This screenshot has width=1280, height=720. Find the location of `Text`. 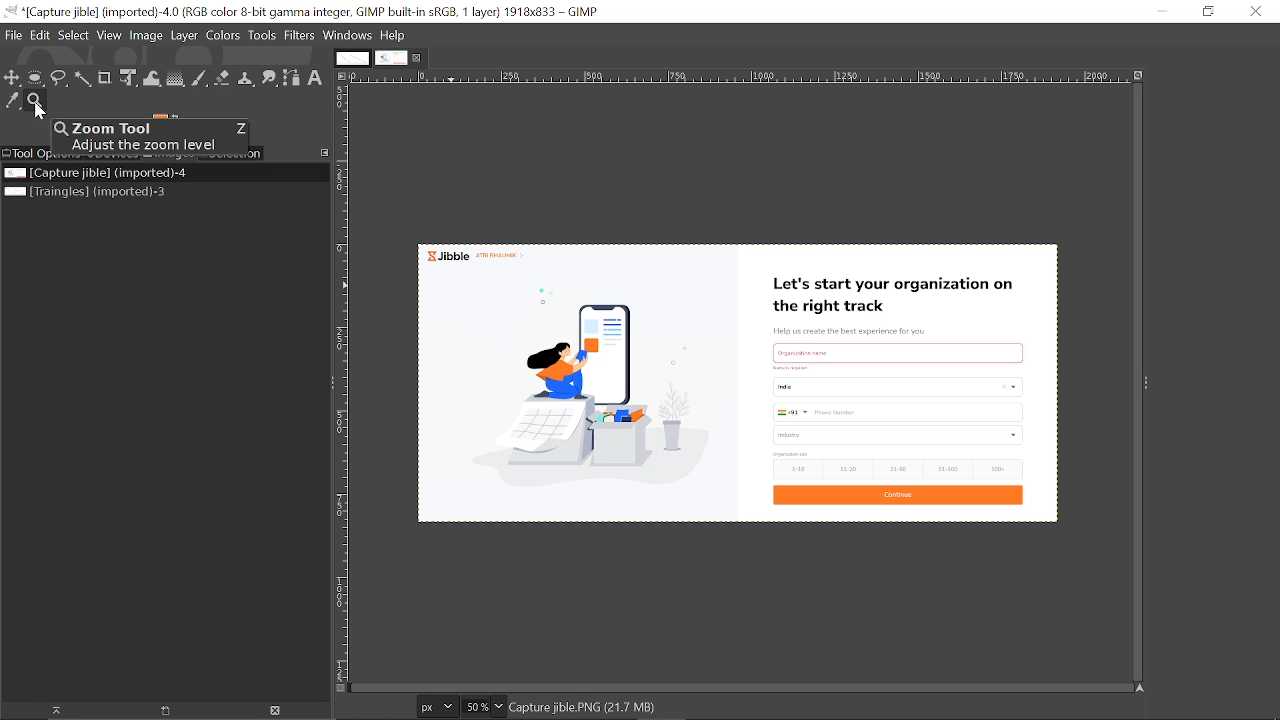

Text is located at coordinates (315, 78).